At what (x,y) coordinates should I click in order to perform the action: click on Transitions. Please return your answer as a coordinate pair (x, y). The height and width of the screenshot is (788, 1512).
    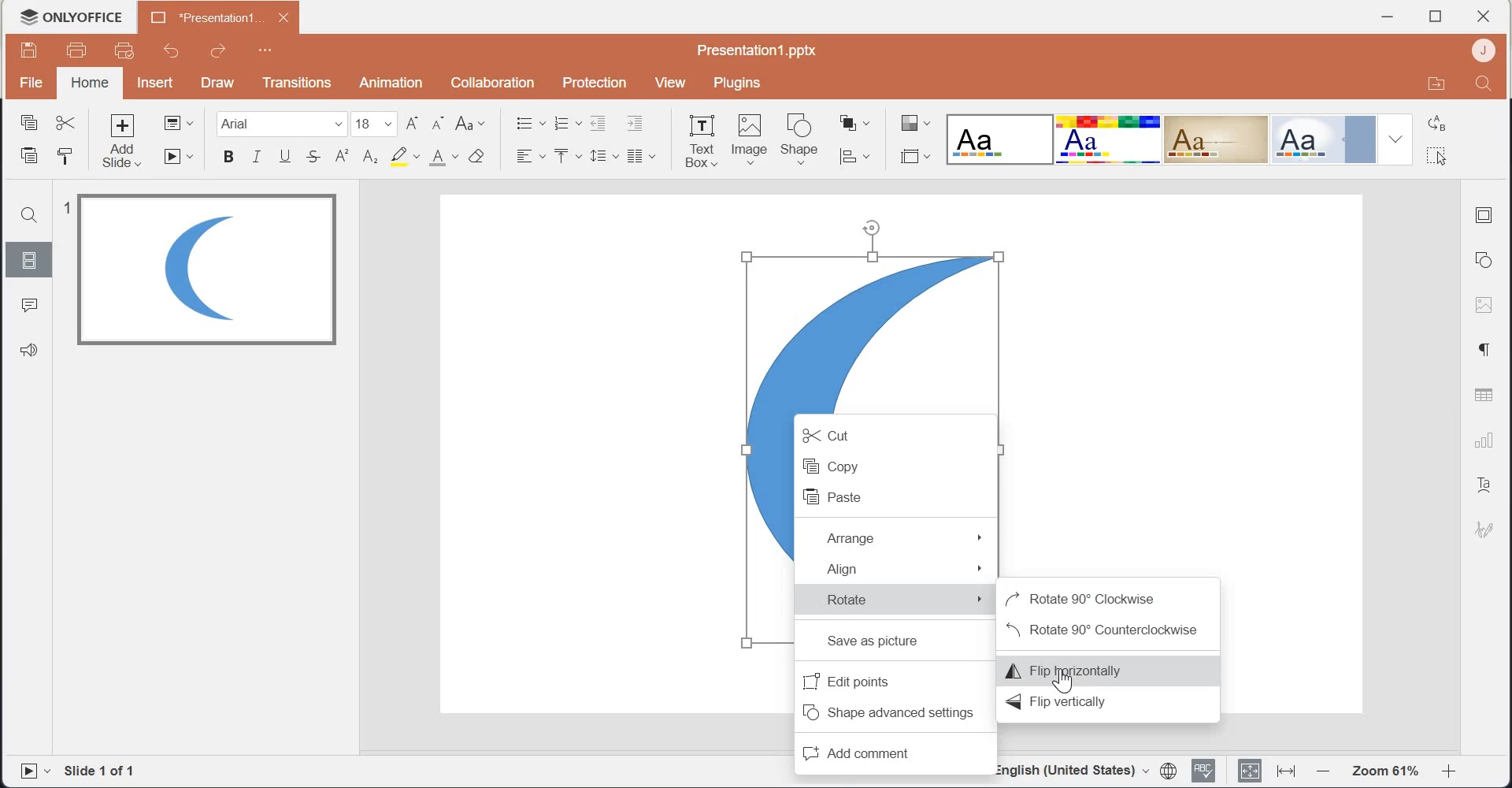
    Looking at the image, I should click on (295, 83).